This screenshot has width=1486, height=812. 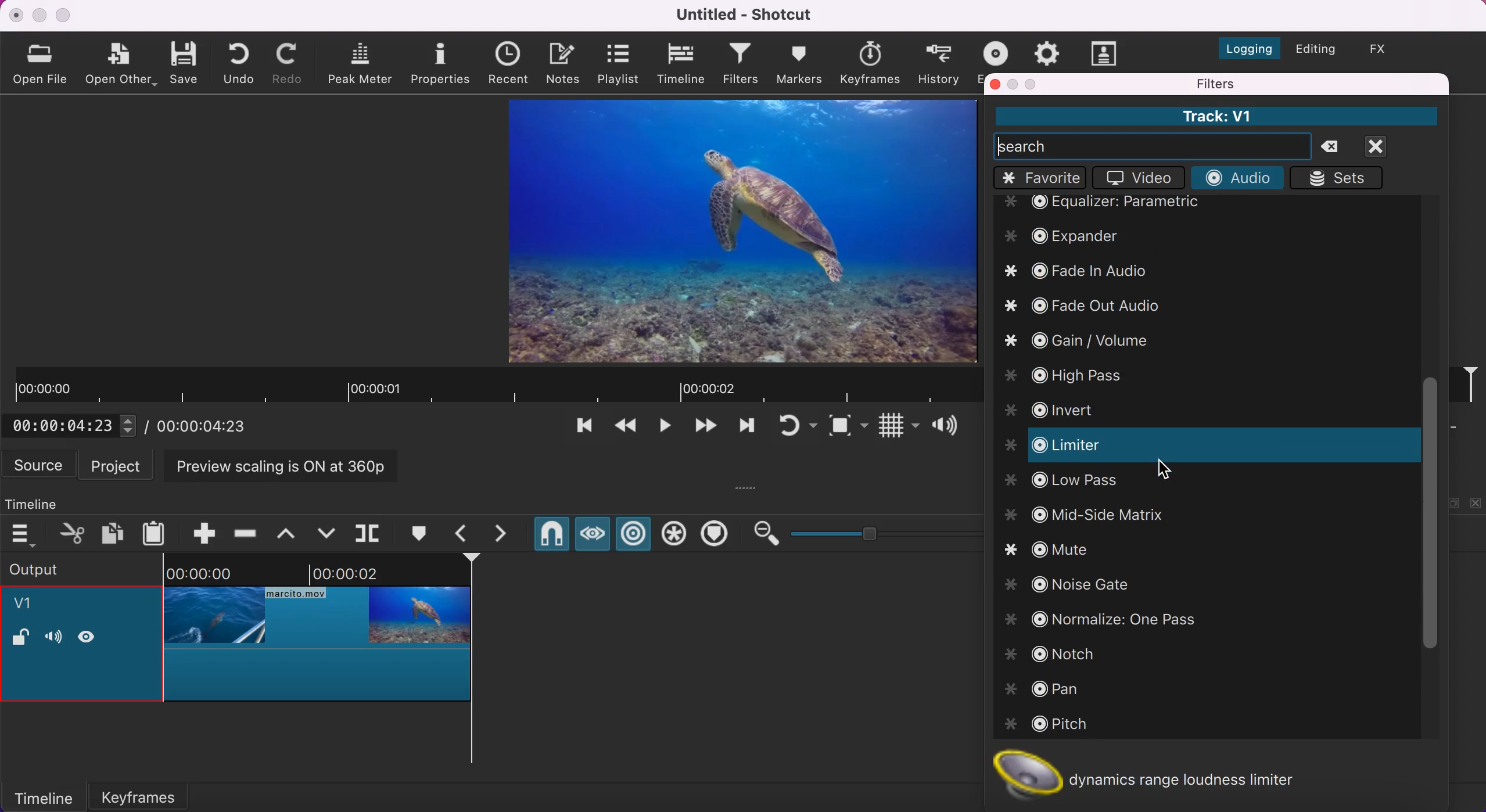 I want to click on clip duration, so click(x=494, y=386).